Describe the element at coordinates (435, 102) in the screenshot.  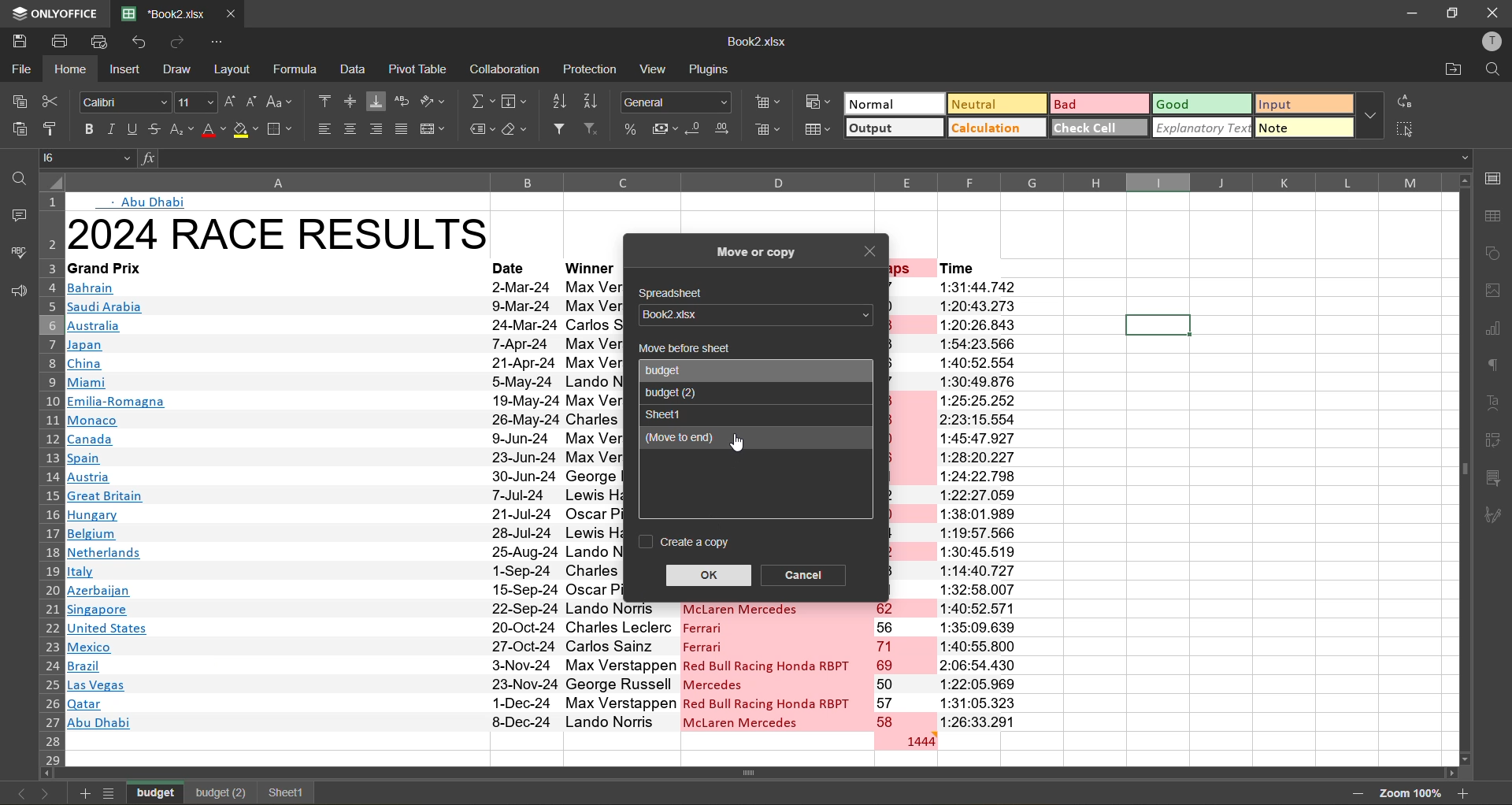
I see `orientation` at that location.